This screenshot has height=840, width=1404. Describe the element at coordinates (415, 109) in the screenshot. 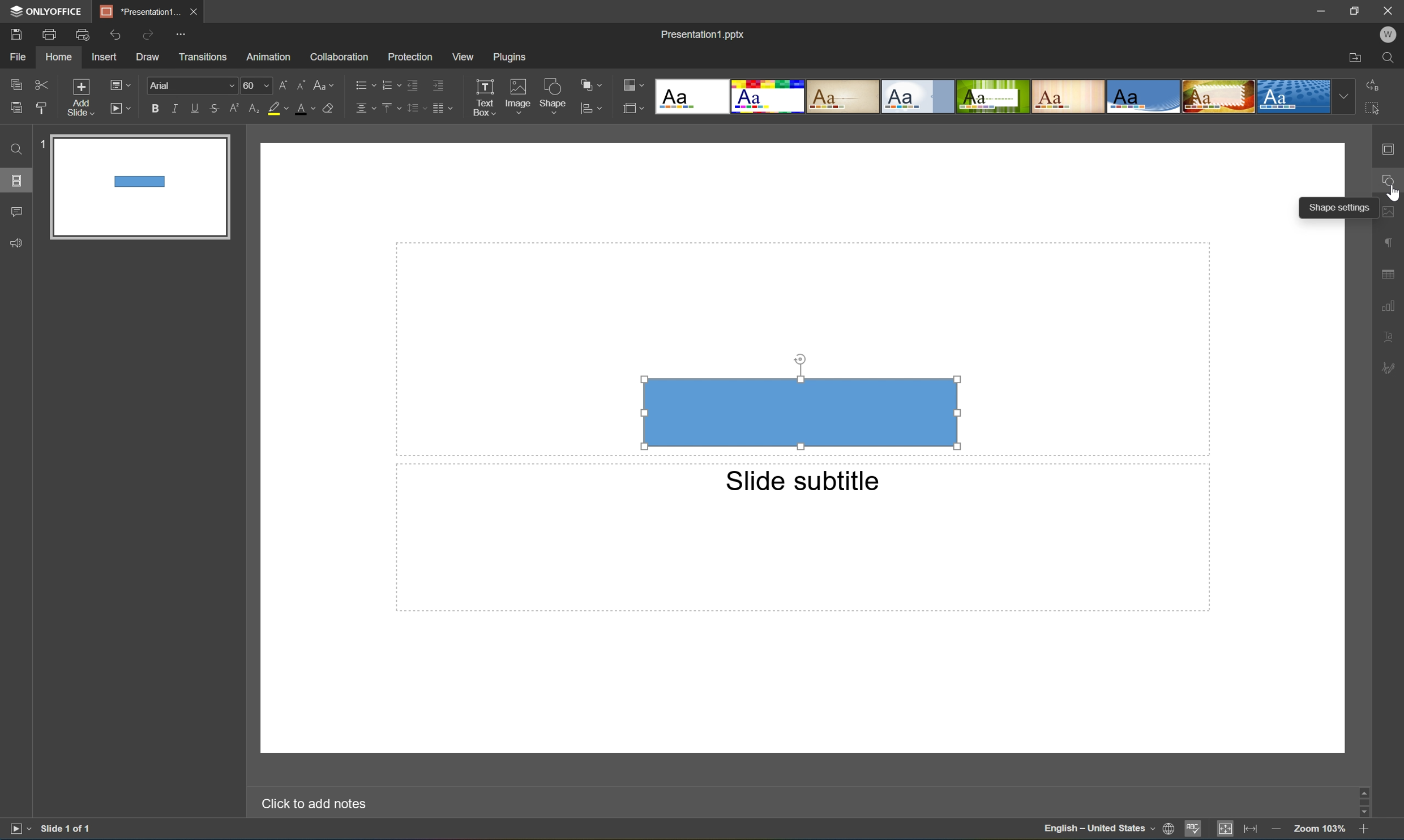

I see `Line spacing` at that location.